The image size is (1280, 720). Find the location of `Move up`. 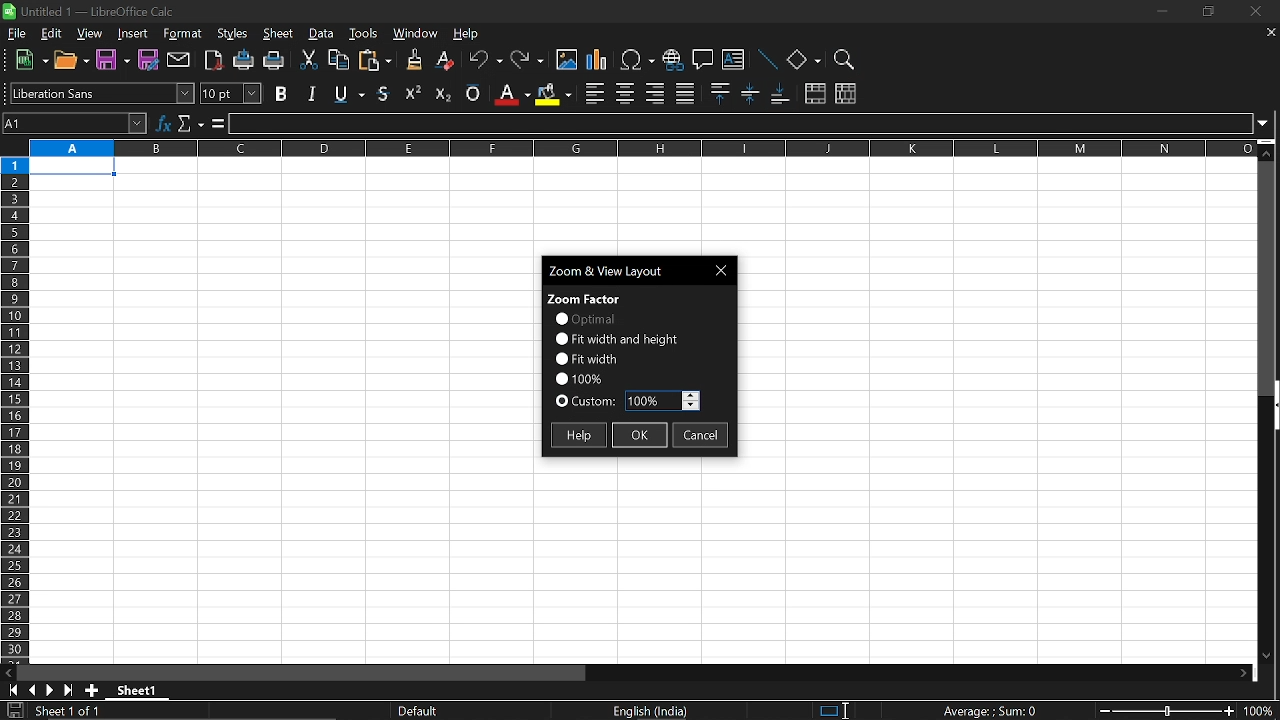

Move up is located at coordinates (1267, 153).